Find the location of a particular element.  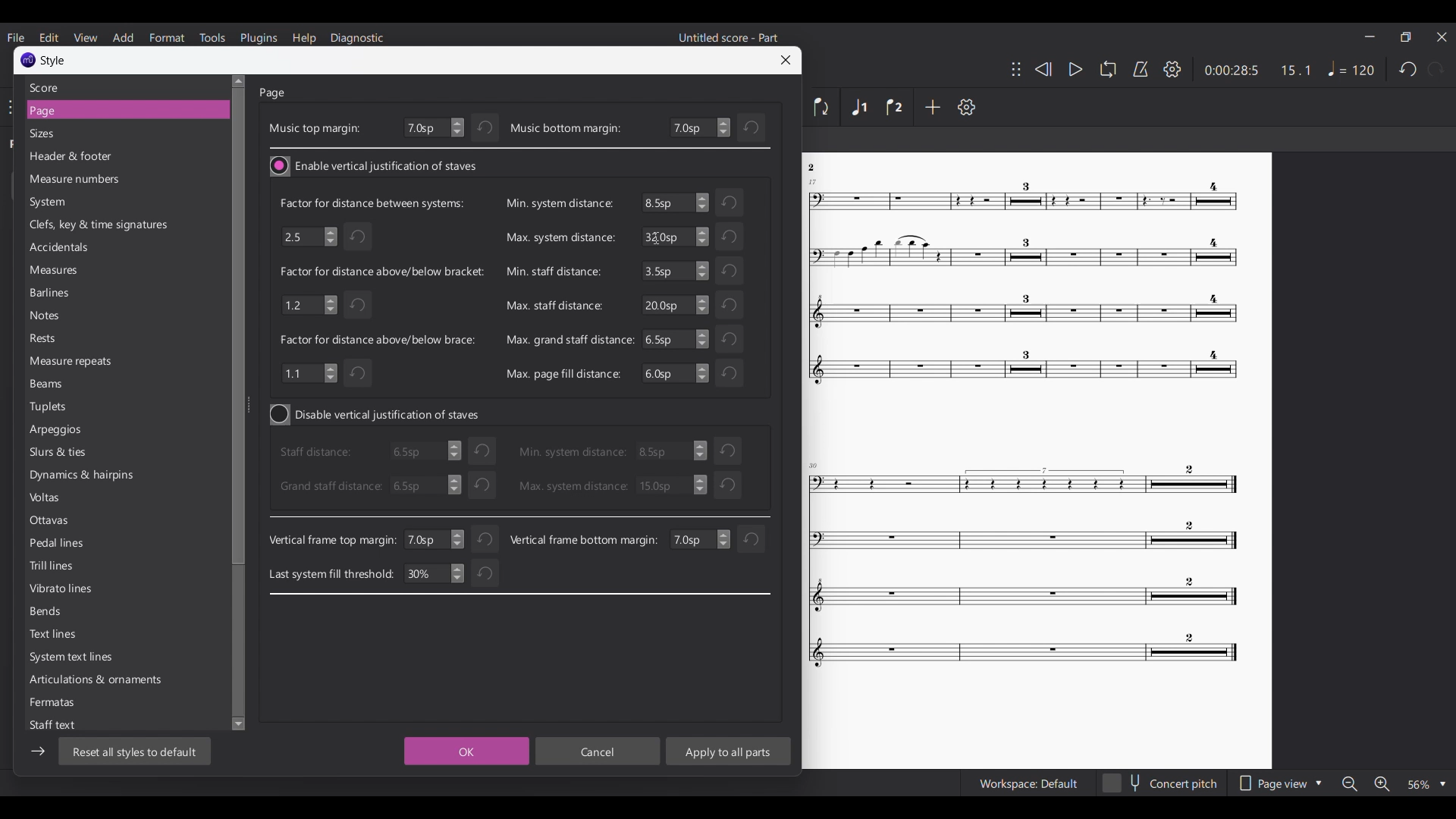

Show/Hide sidebar is located at coordinates (38, 752).